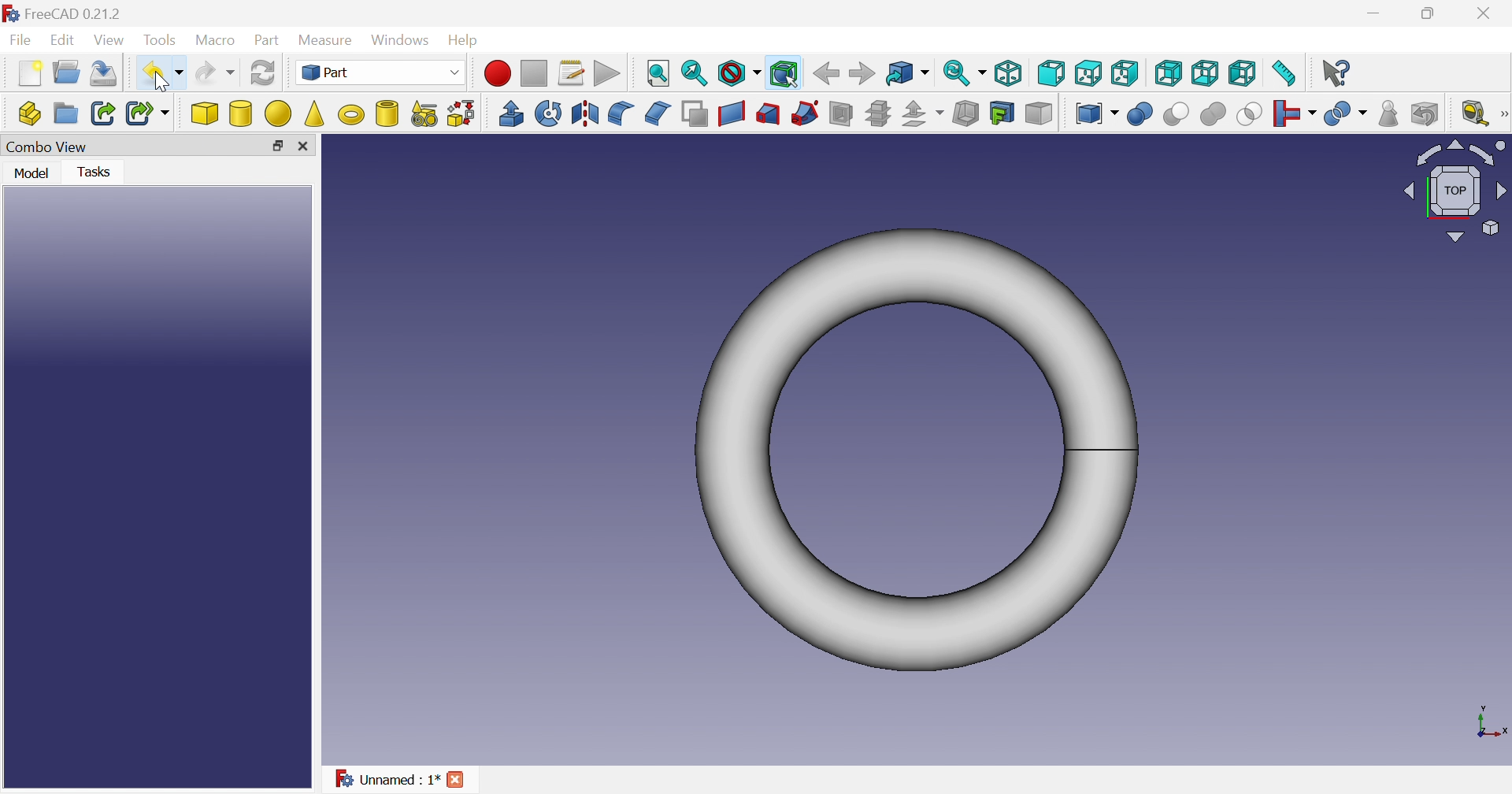  Describe the element at coordinates (1429, 13) in the screenshot. I see `Restore down` at that location.